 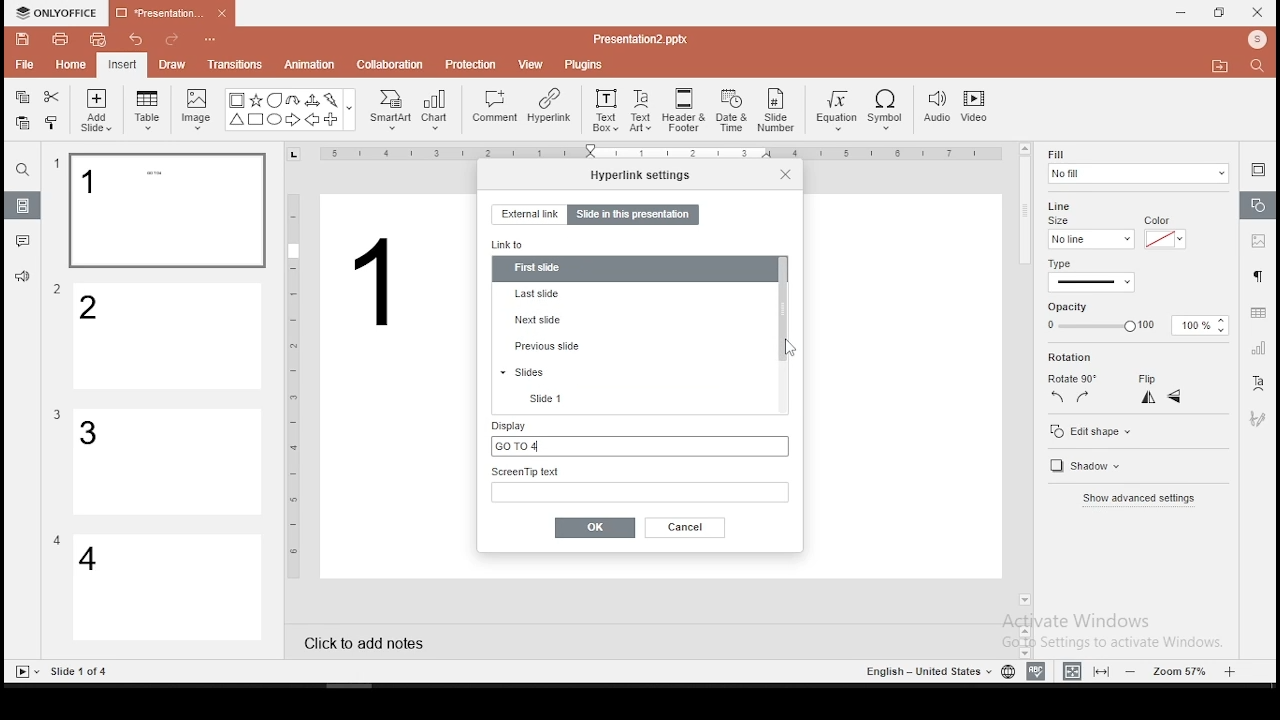 I want to click on Arrow Right, so click(x=294, y=121).